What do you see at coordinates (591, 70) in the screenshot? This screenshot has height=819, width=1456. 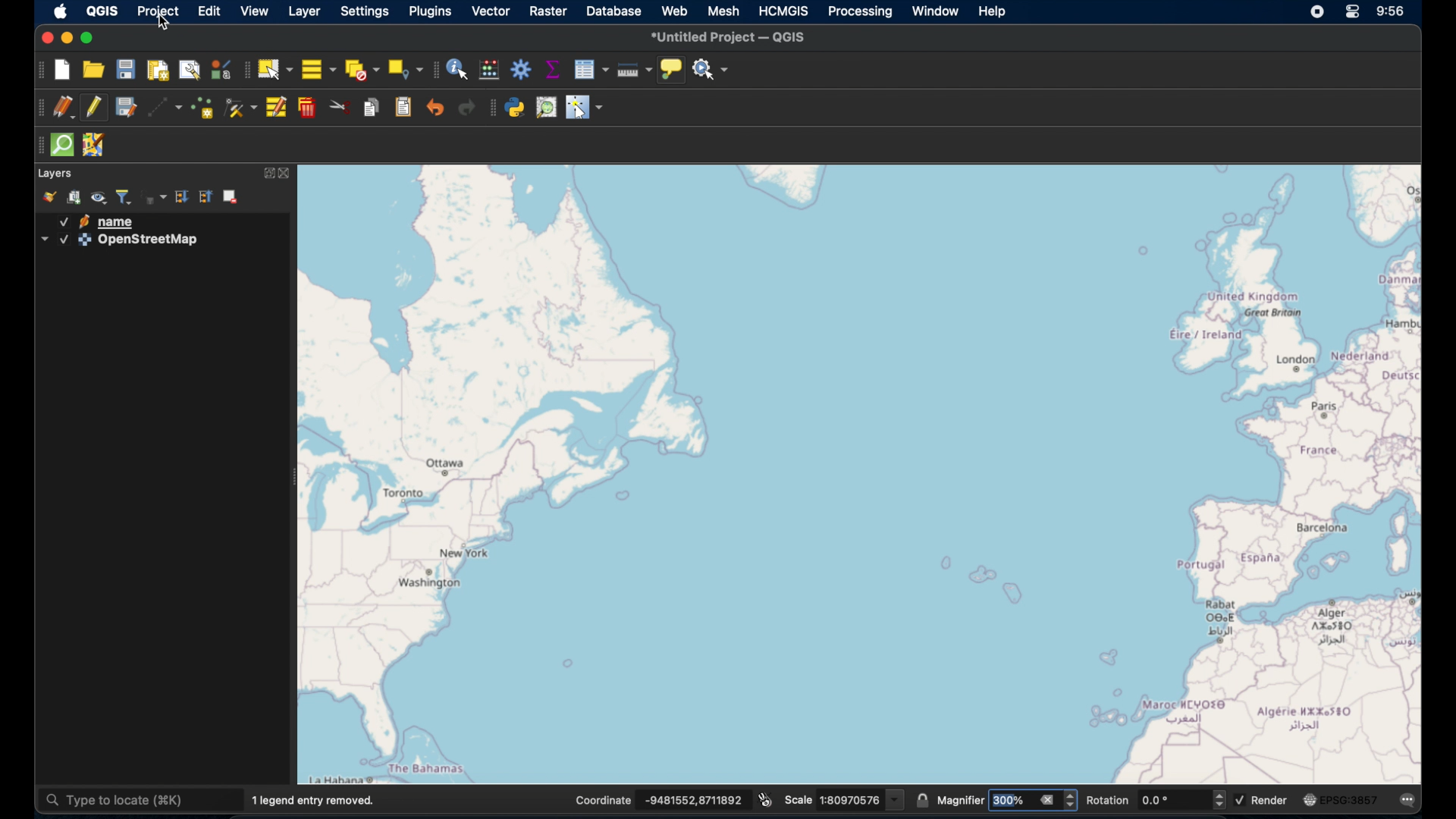 I see `open attribute table` at bounding box center [591, 70].